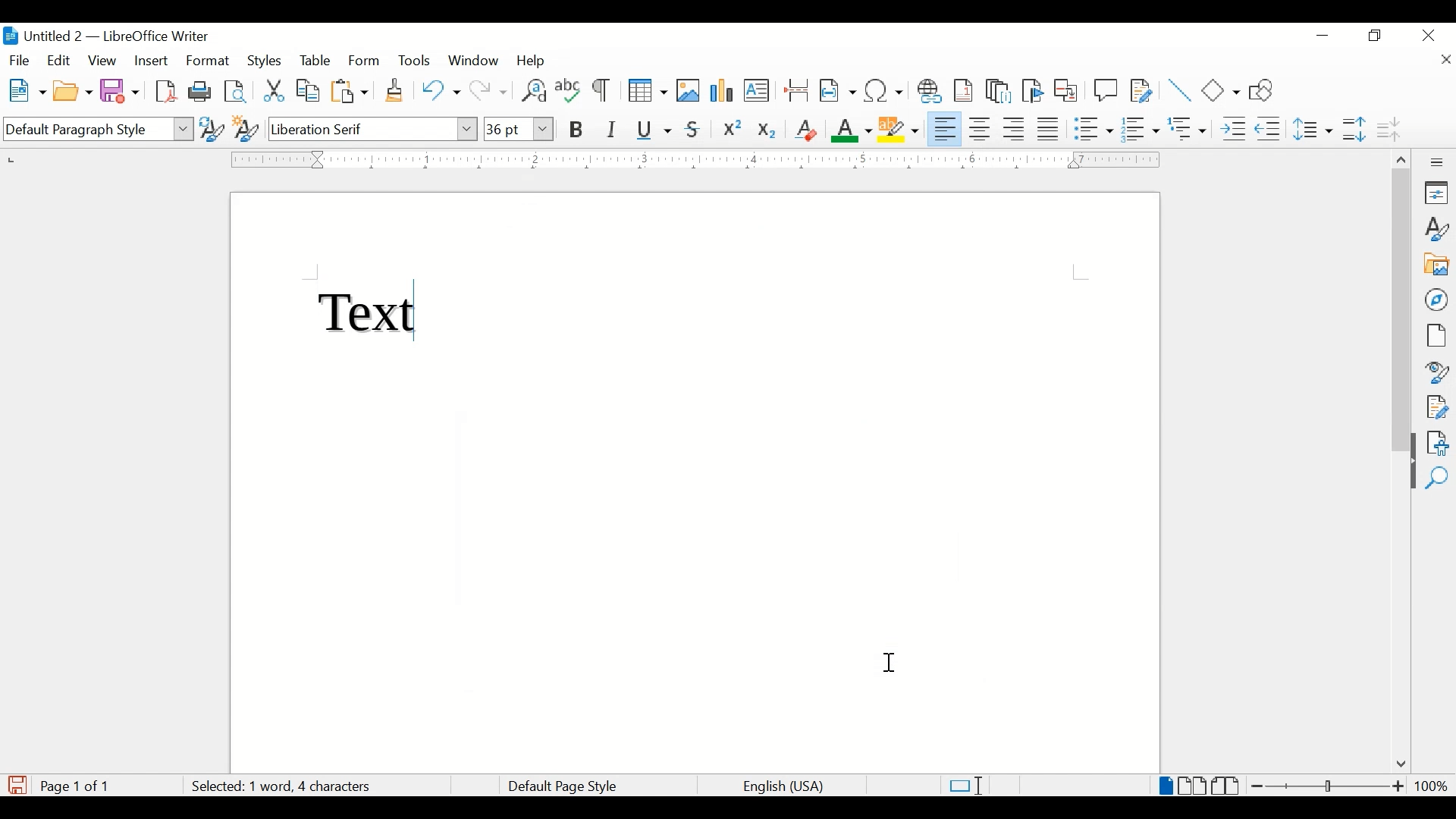 This screenshot has width=1456, height=819. What do you see at coordinates (518, 128) in the screenshot?
I see `font size` at bounding box center [518, 128].